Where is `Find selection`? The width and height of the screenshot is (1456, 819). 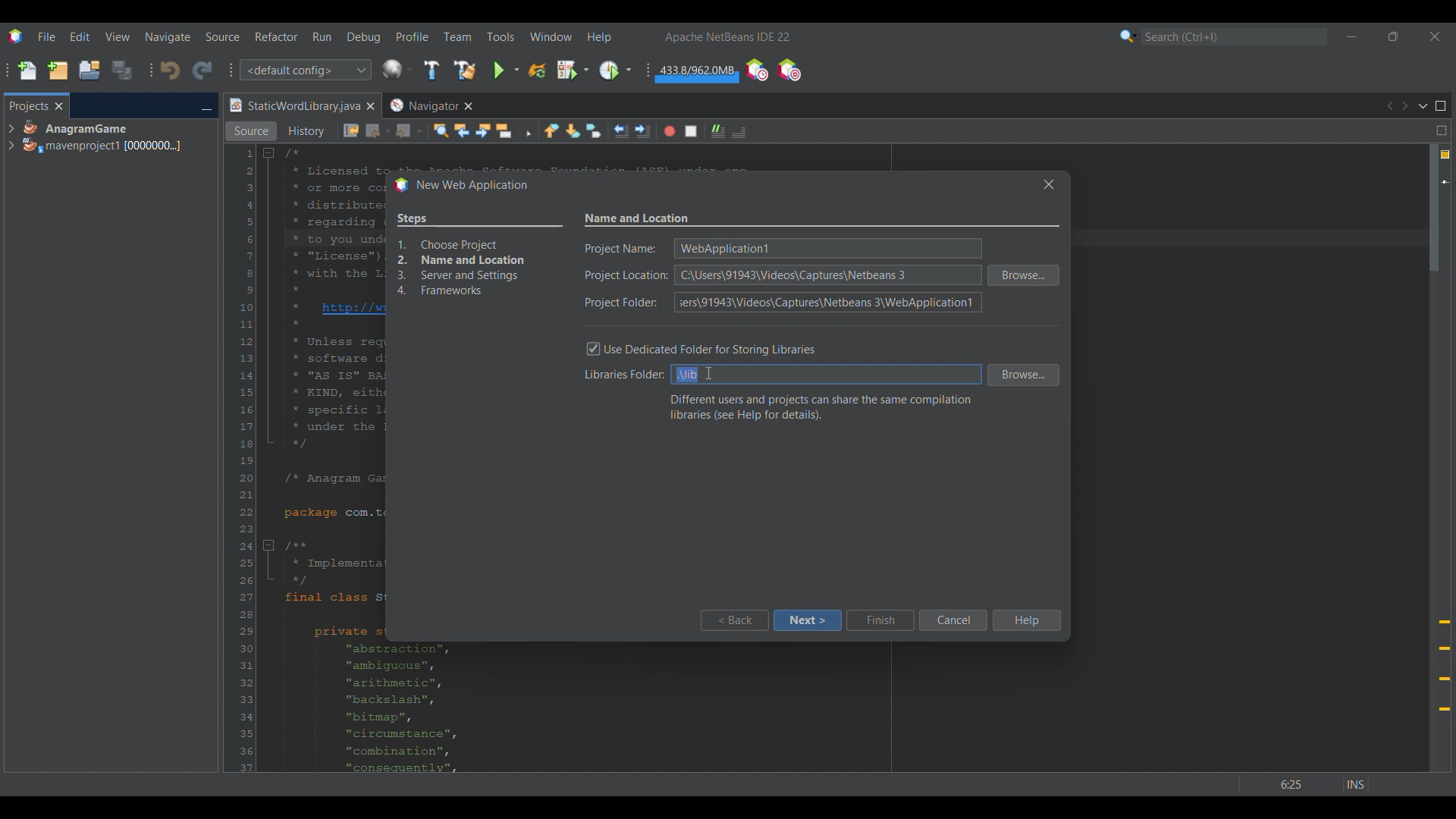
Find selection is located at coordinates (441, 130).